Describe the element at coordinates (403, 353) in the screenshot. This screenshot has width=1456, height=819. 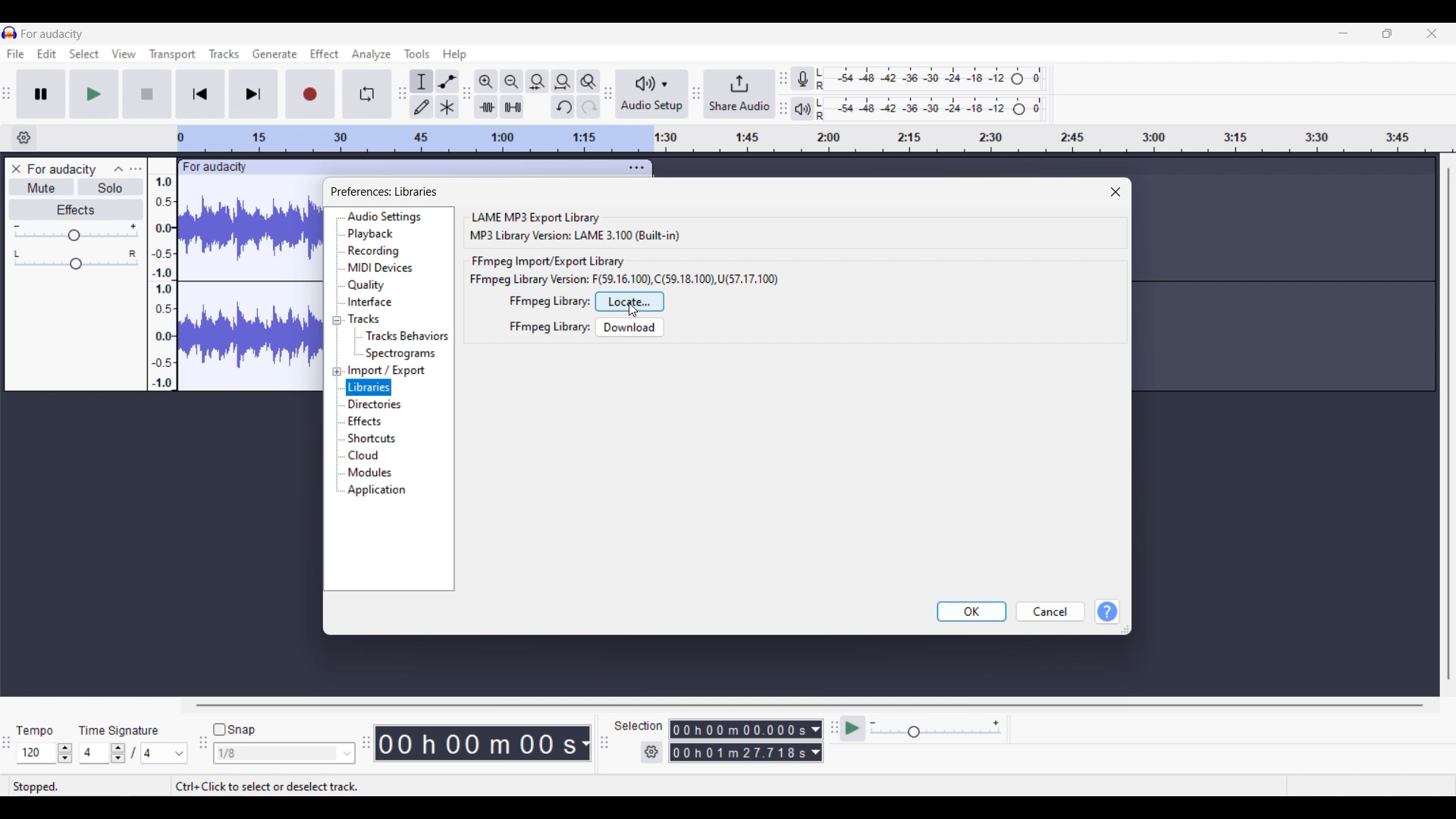
I see `Spectrograms` at that location.